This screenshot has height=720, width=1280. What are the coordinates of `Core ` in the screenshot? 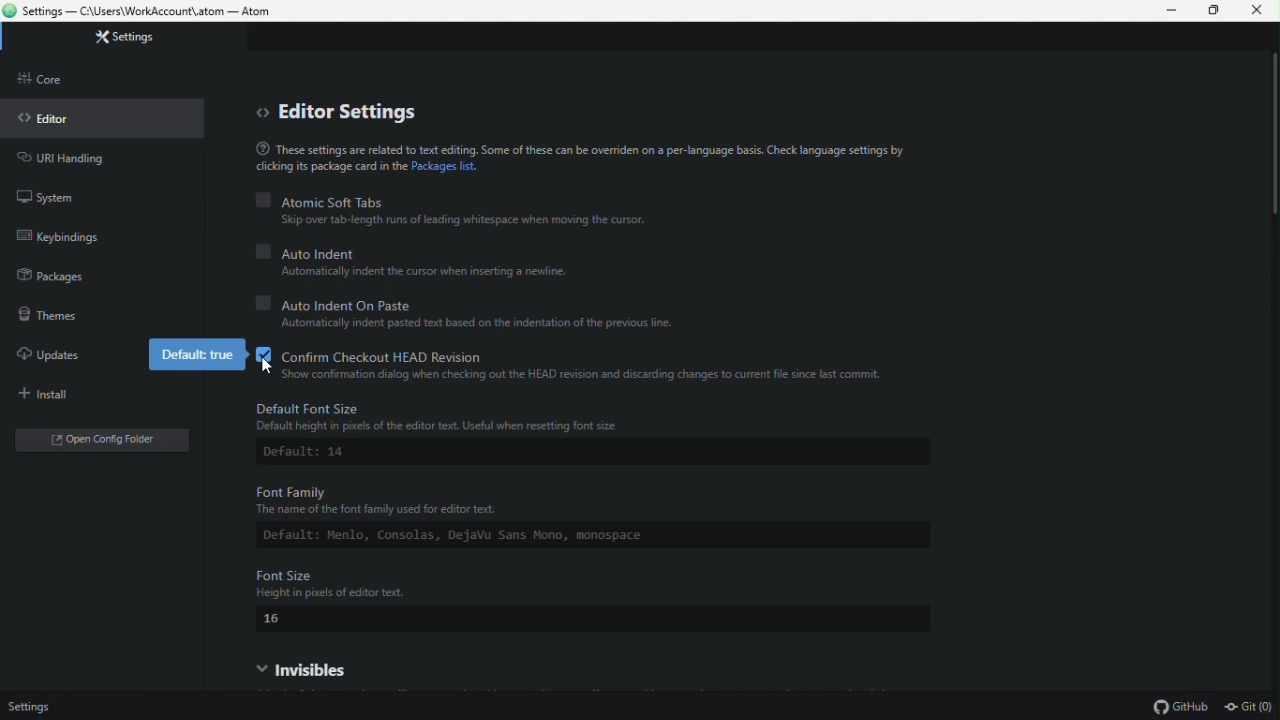 It's located at (63, 78).